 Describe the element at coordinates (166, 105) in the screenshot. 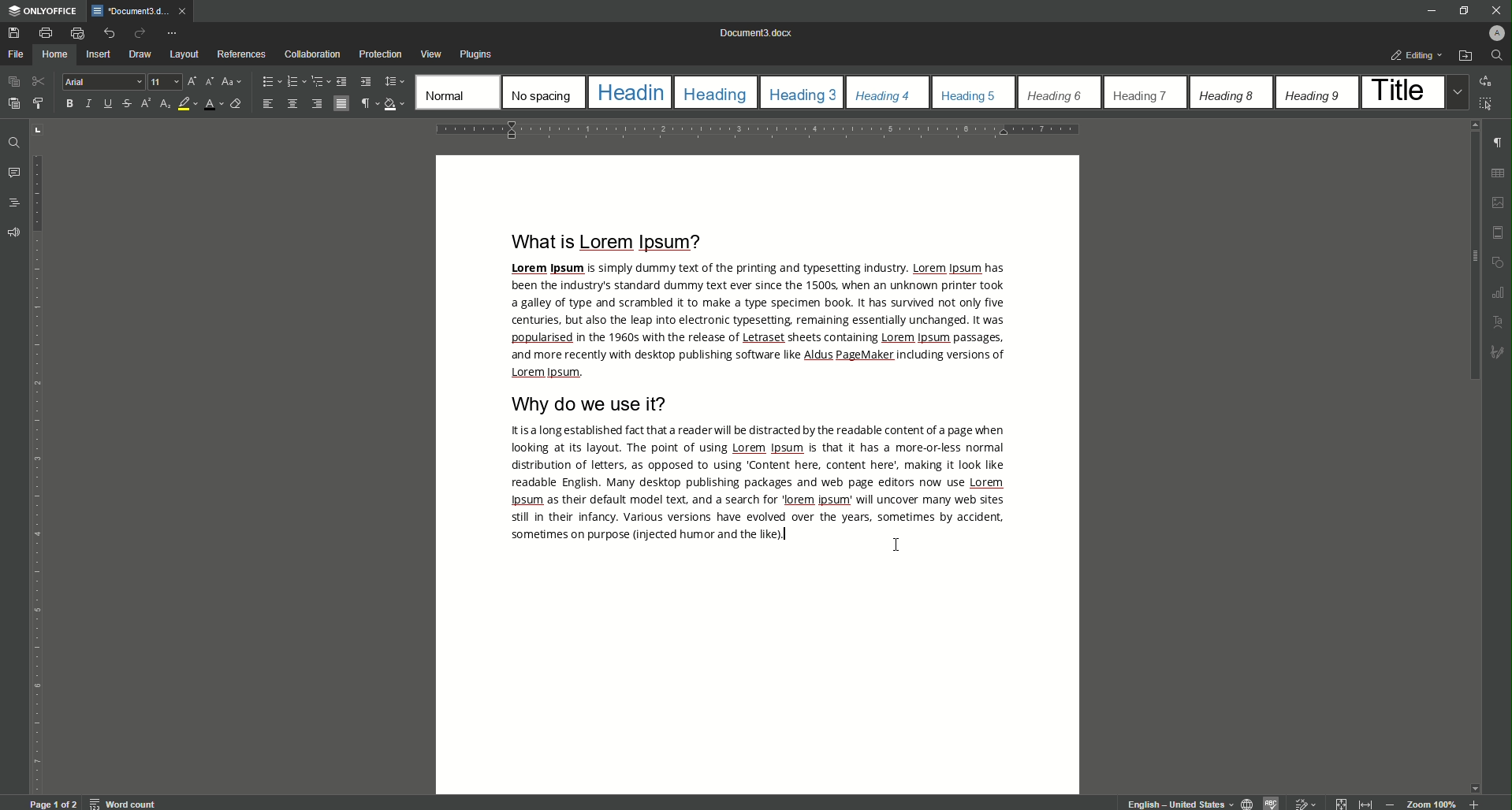

I see `Subscript` at that location.